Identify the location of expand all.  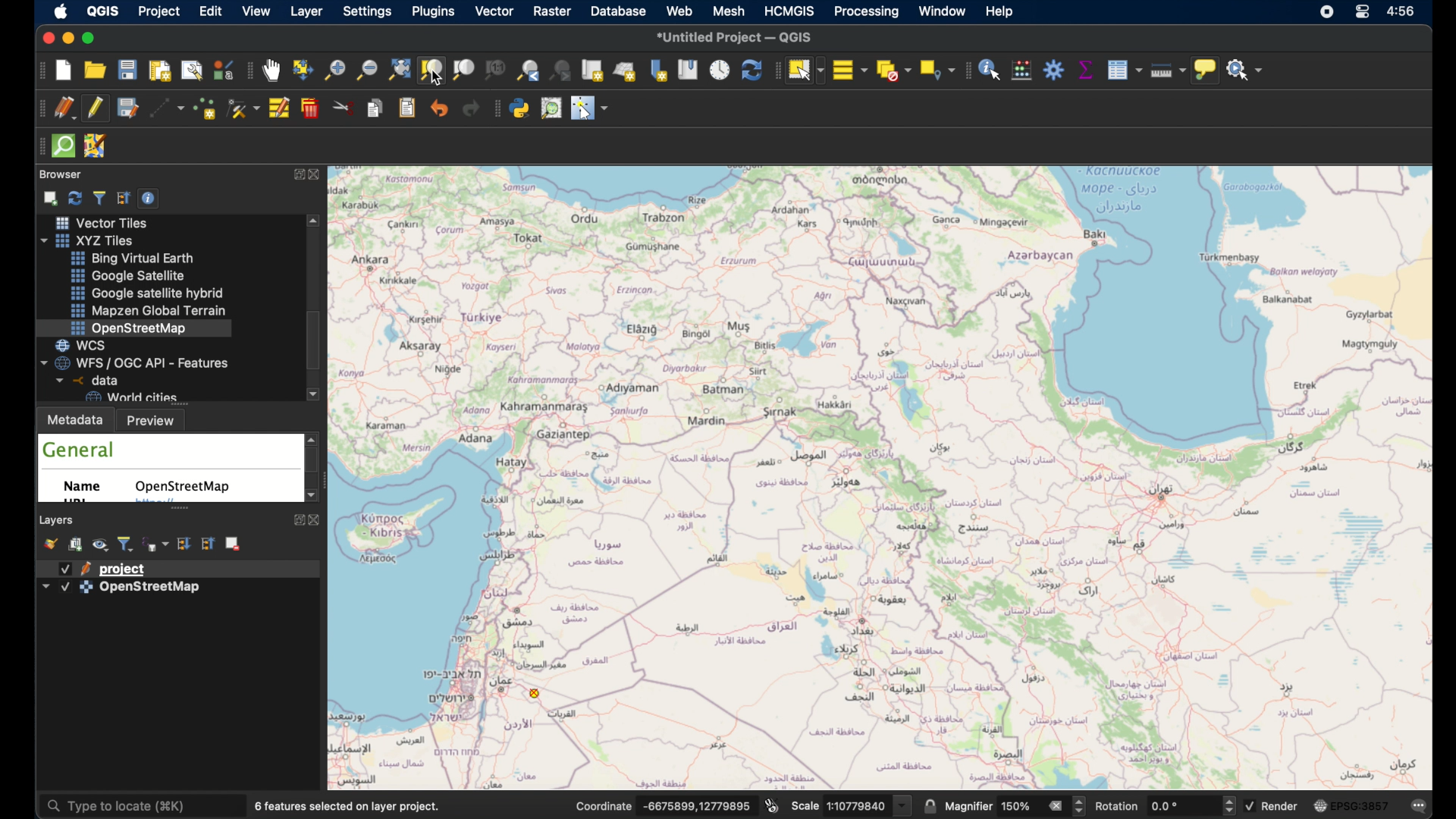
(184, 543).